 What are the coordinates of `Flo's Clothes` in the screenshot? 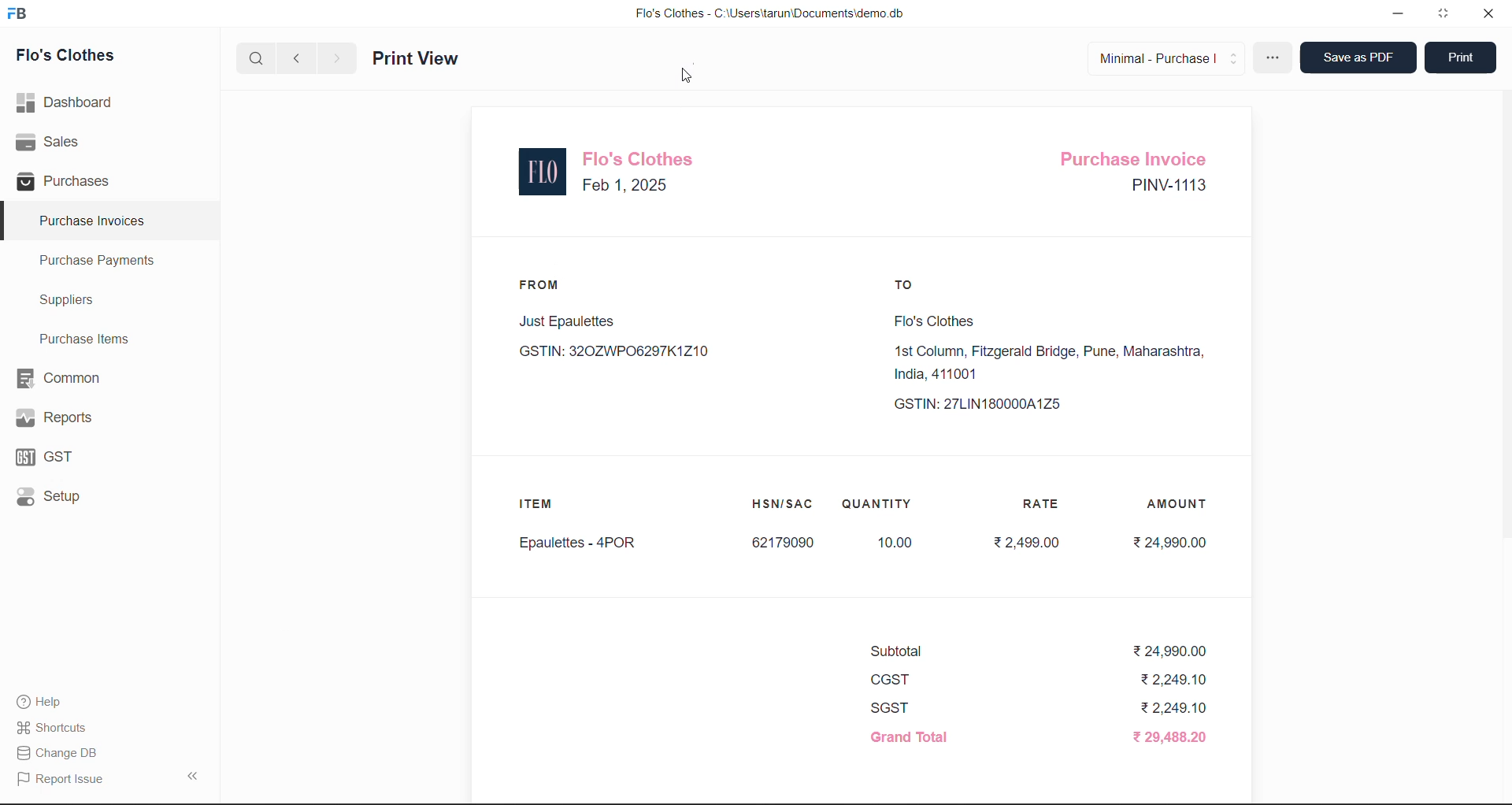 It's located at (76, 57).